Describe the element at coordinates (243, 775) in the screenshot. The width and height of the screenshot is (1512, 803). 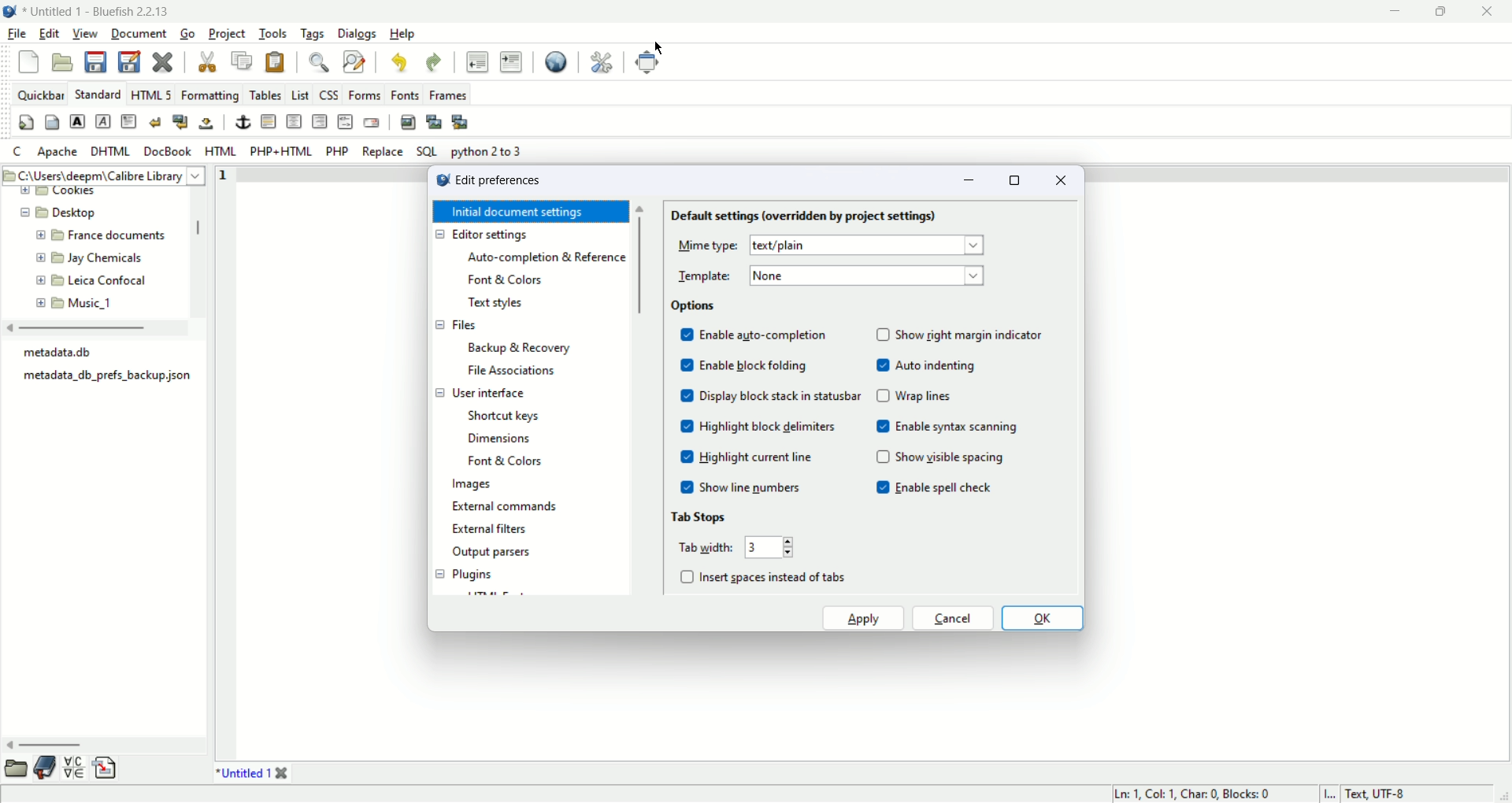
I see `*Untitled 1` at that location.